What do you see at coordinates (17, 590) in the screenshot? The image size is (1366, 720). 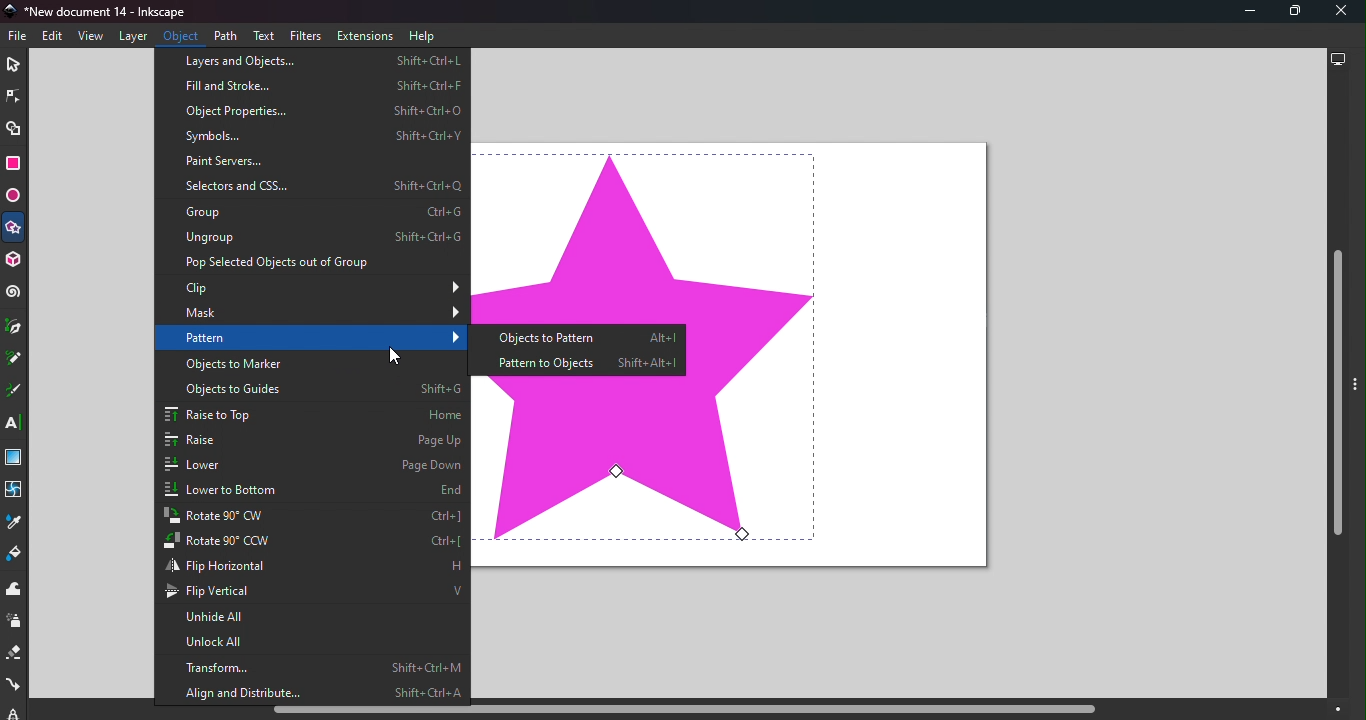 I see `Tweak tool` at bounding box center [17, 590].